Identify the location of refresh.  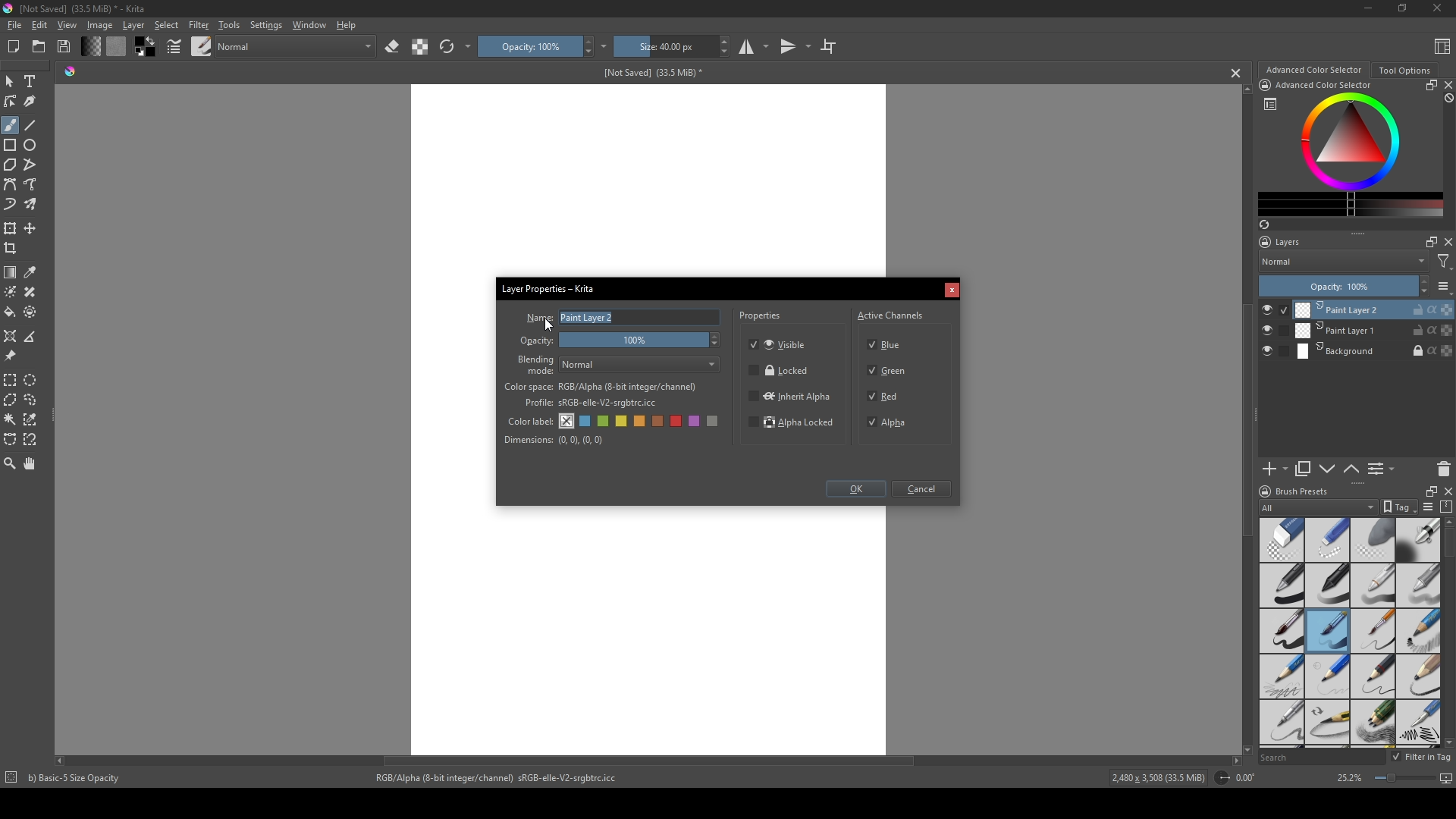
(447, 47).